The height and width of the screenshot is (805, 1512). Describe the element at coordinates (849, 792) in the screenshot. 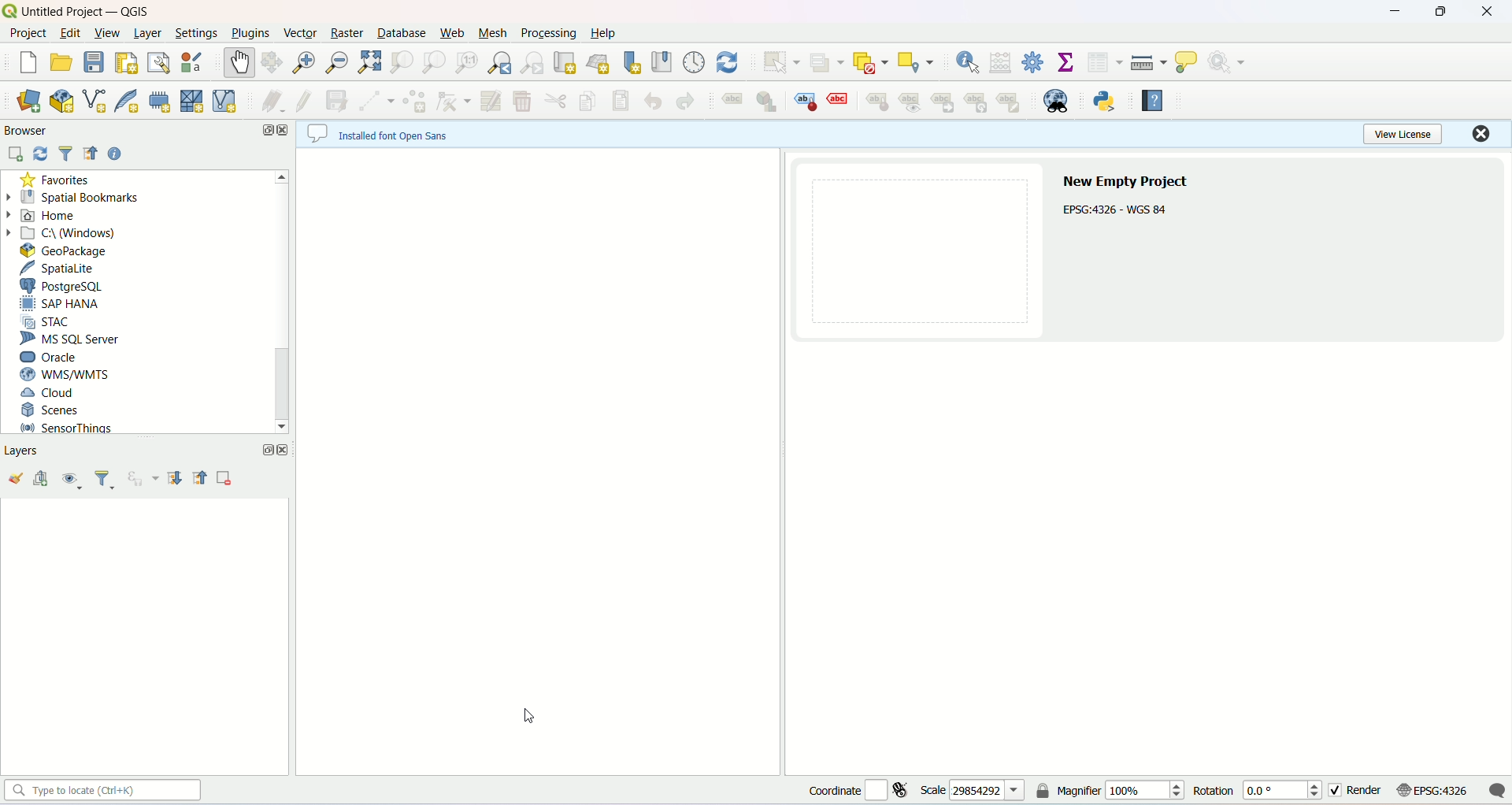

I see `coordinate` at that location.